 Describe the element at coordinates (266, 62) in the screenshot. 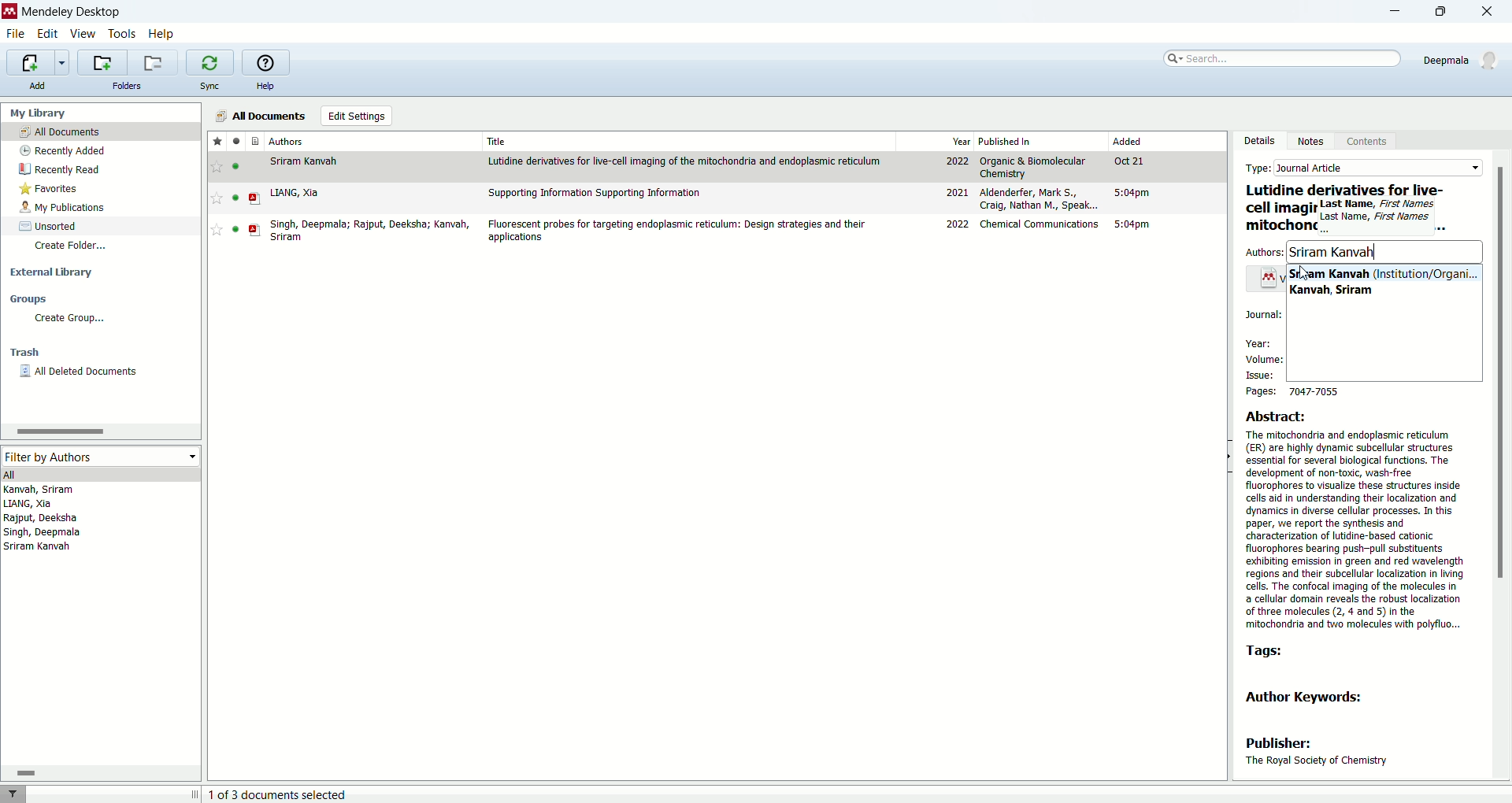

I see `online help guide for mendeley` at that location.